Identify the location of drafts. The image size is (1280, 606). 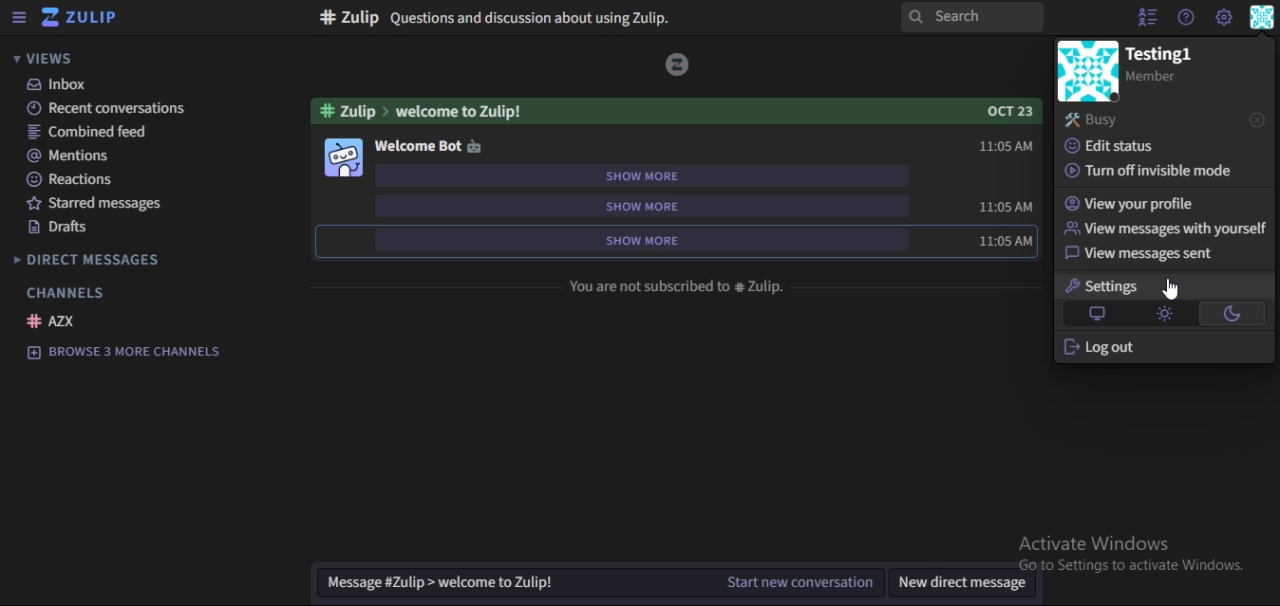
(64, 227).